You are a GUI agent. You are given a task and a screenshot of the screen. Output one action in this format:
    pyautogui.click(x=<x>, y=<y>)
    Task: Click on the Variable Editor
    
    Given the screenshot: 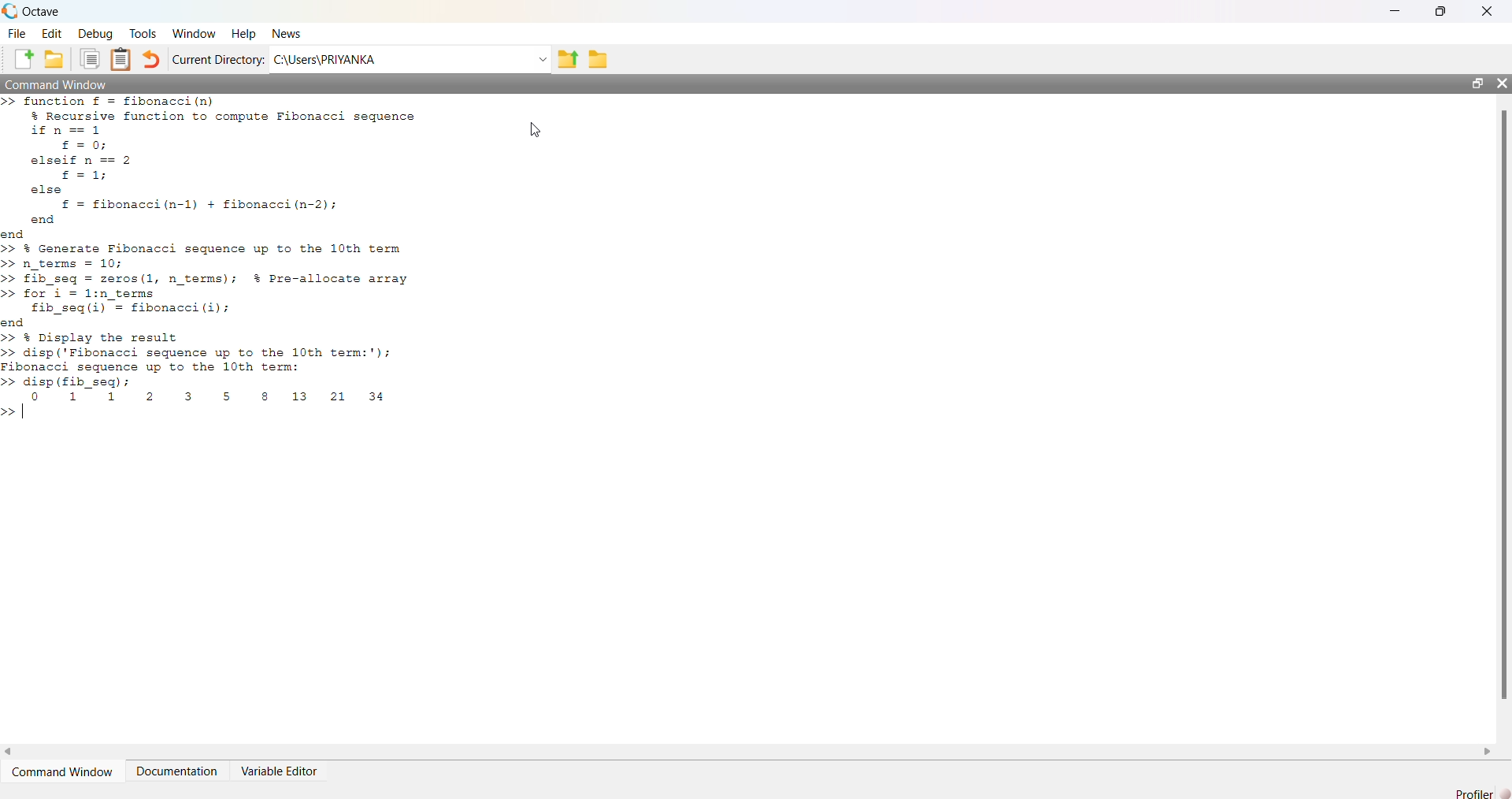 What is the action you would take?
    pyautogui.click(x=278, y=766)
    